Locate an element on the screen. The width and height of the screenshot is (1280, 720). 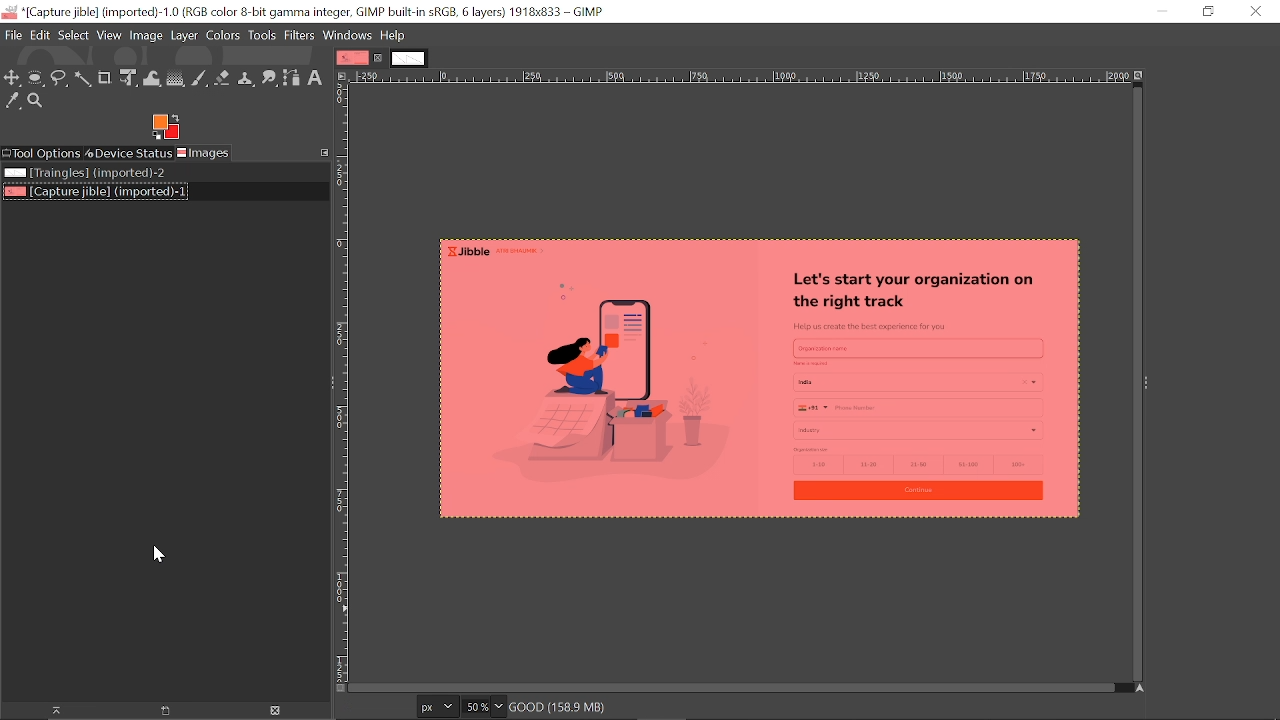
image is located at coordinates (148, 35).